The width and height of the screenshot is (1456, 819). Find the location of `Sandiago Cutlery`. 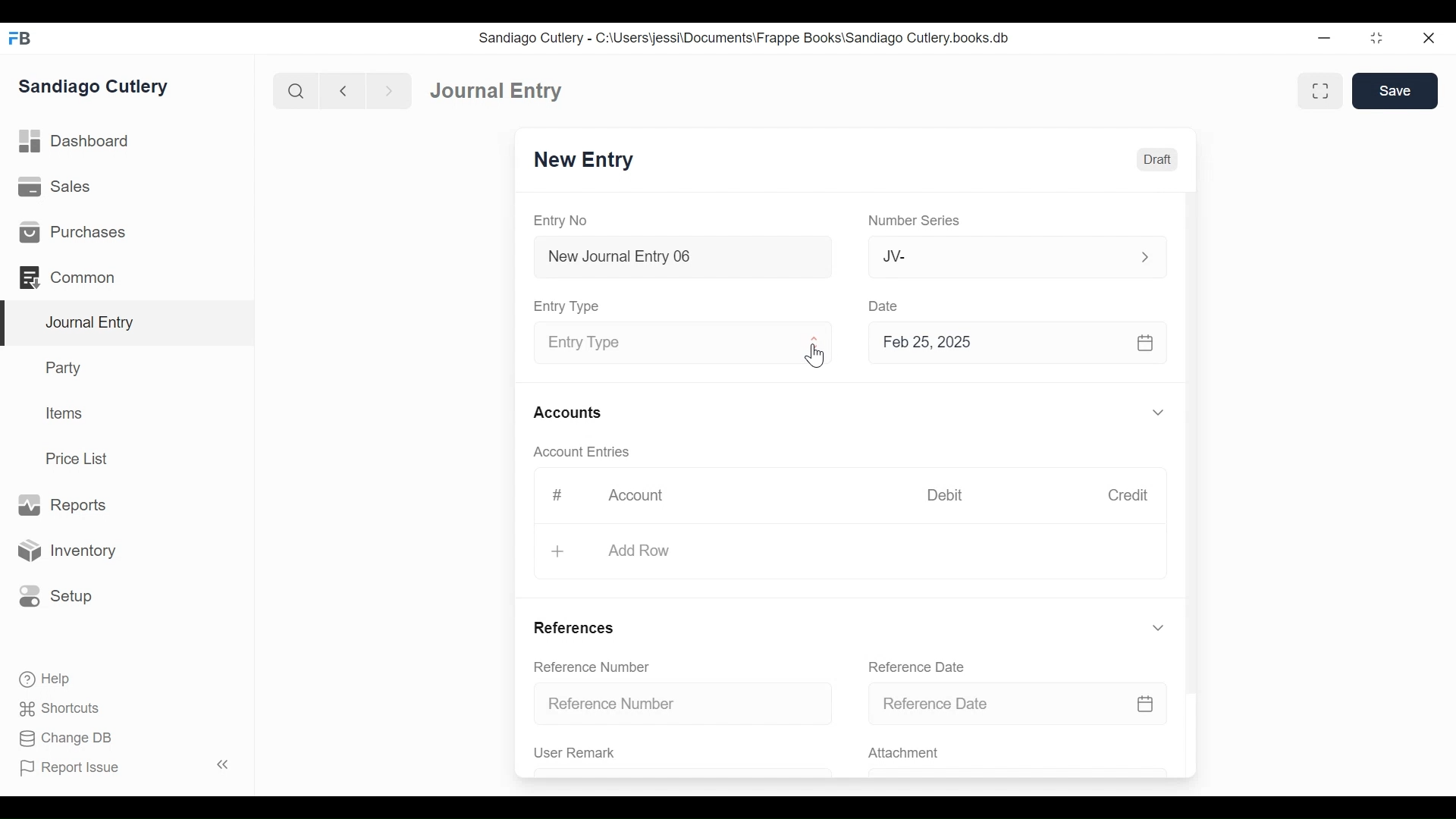

Sandiago Cutlery is located at coordinates (96, 87).